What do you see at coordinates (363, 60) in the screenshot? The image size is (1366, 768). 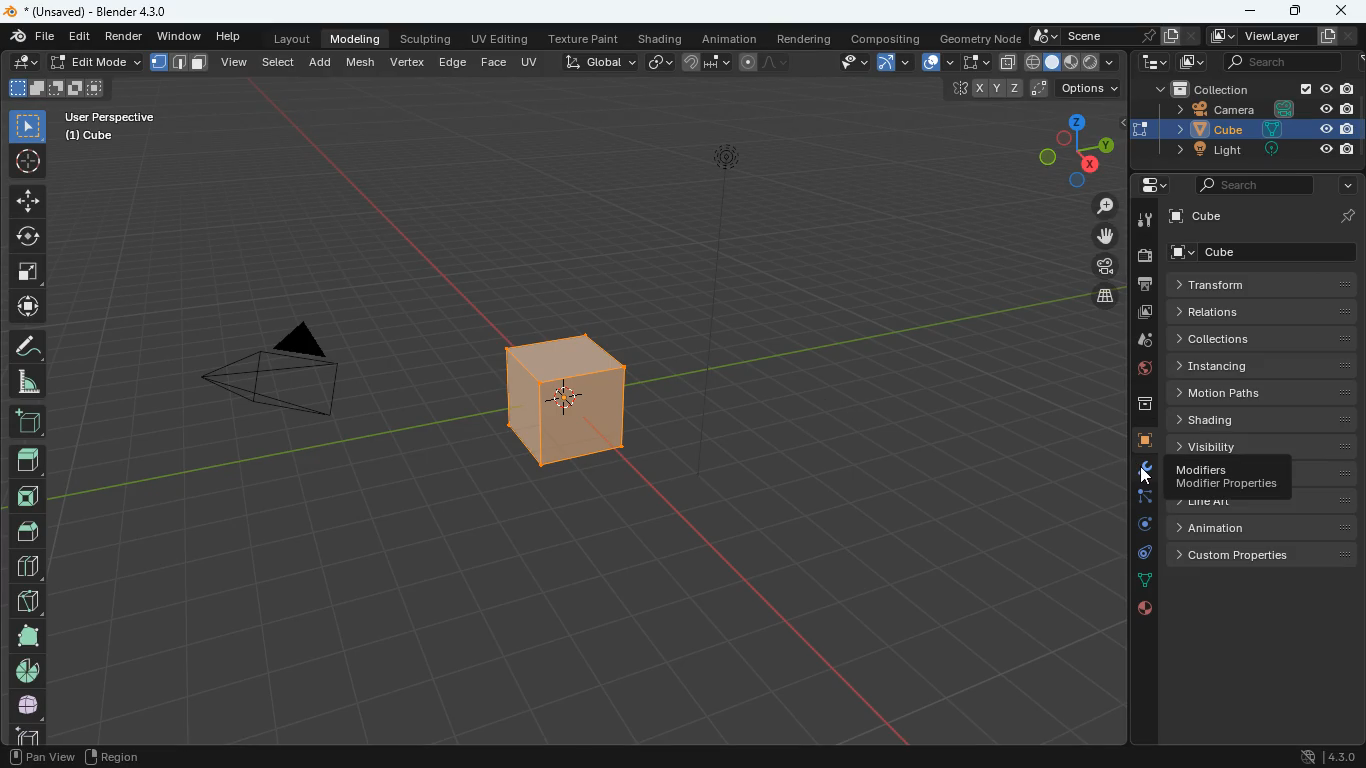 I see `mesh` at bounding box center [363, 60].